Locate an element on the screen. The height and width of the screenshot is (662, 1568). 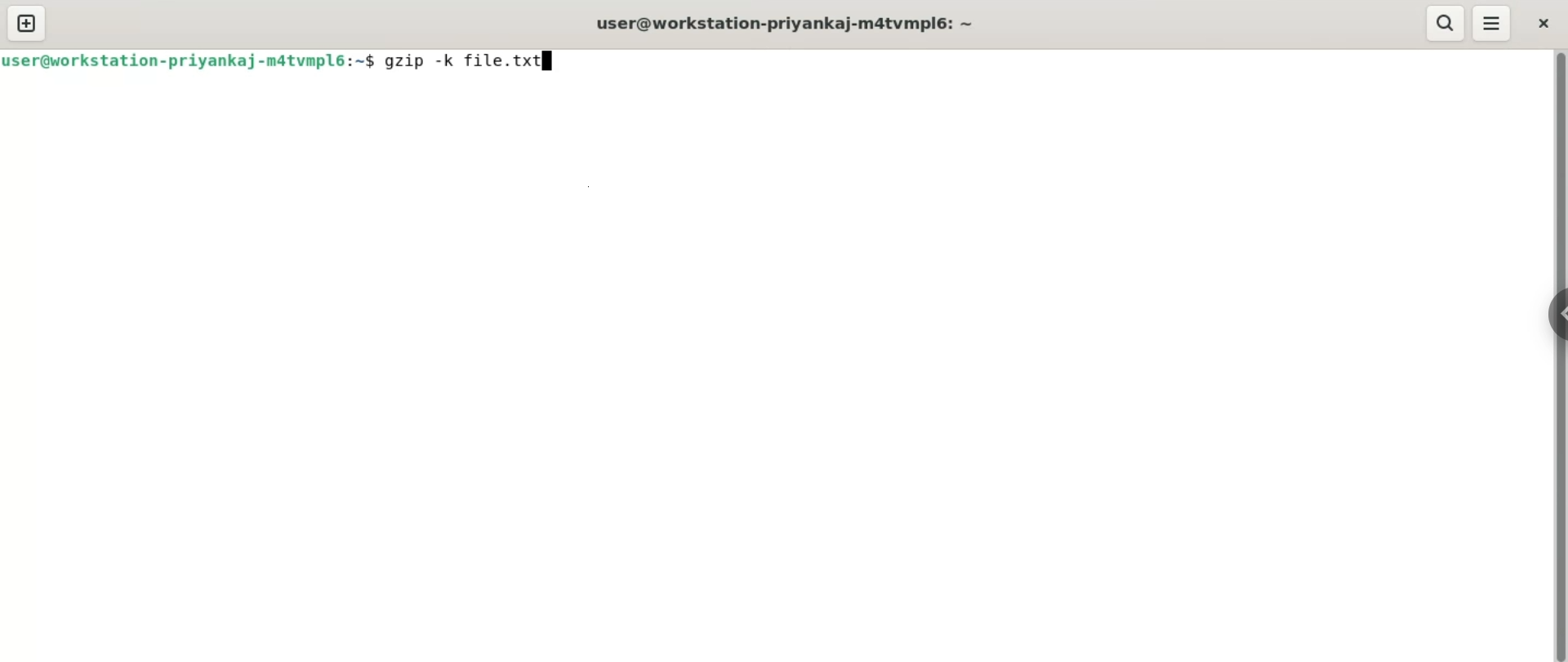
vertical scroll bar is located at coordinates (1558, 357).